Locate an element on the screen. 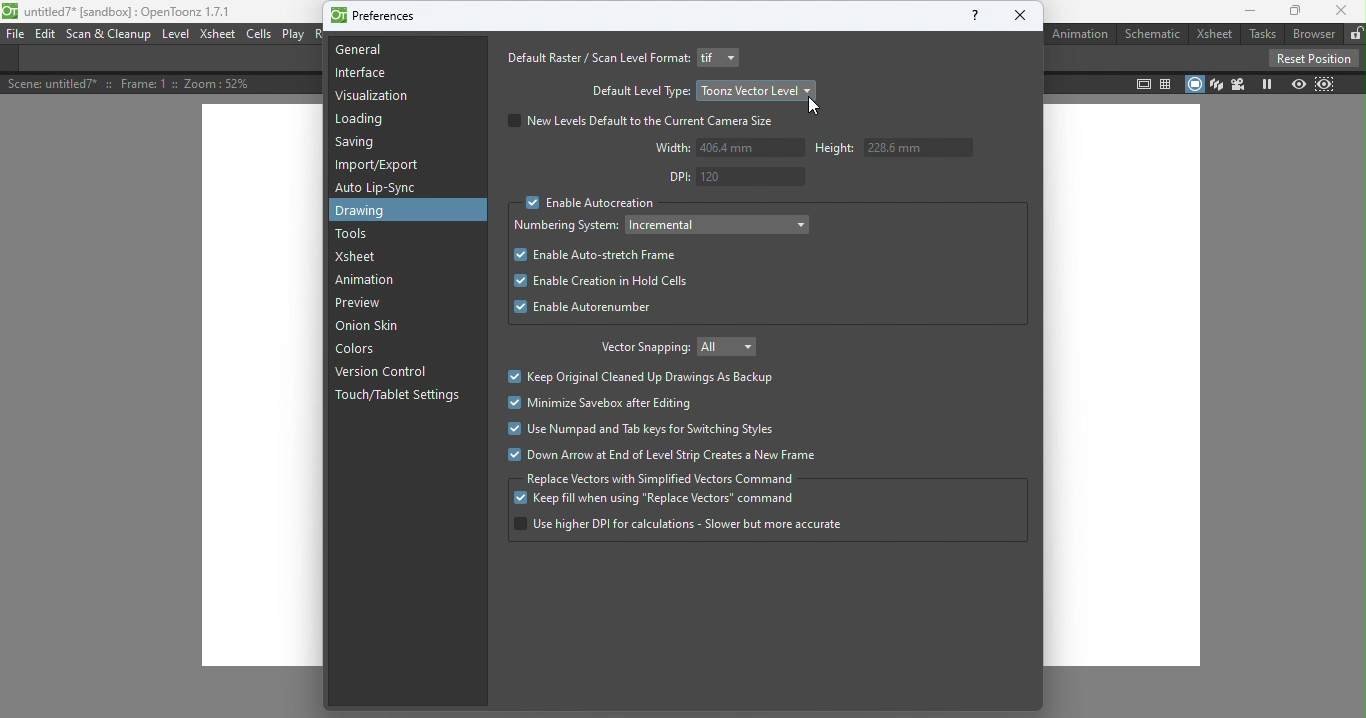  Colors is located at coordinates (363, 351).